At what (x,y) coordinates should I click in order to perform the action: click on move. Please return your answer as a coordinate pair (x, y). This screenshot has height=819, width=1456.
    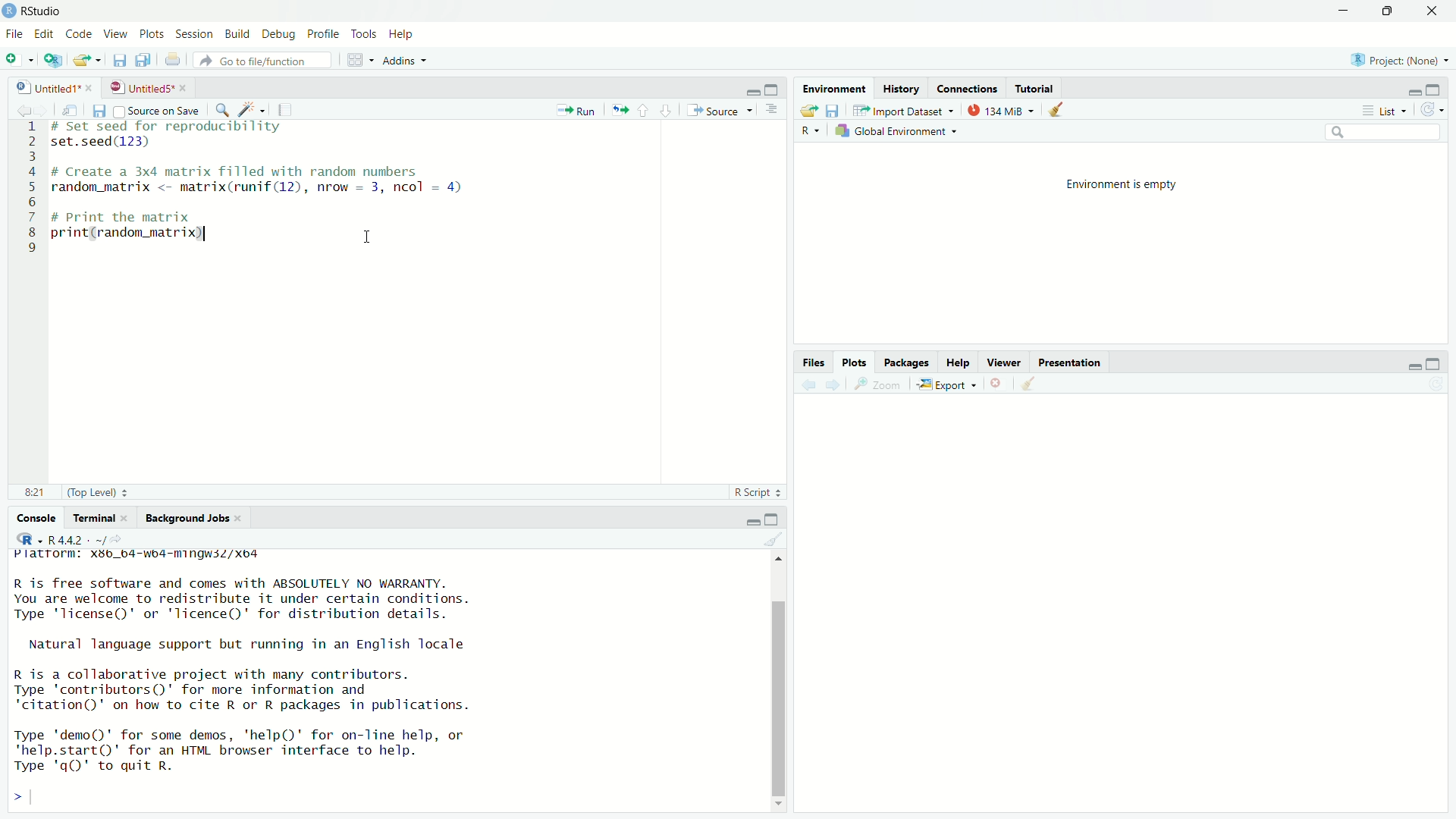
    Looking at the image, I should click on (71, 110).